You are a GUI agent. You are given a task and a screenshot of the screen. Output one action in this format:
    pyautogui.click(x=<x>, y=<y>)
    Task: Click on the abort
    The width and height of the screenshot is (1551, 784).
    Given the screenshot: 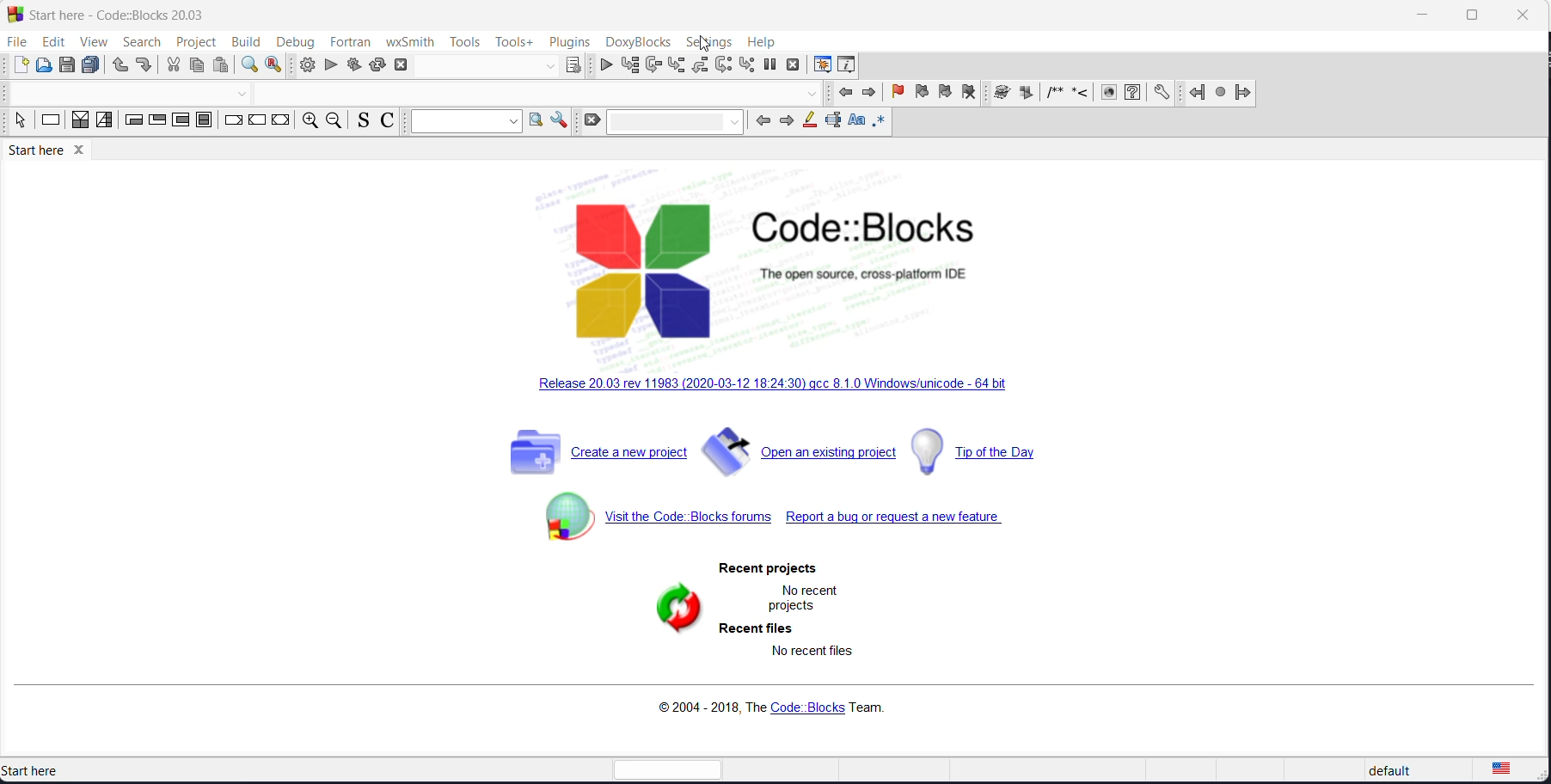 What is the action you would take?
    pyautogui.click(x=401, y=65)
    